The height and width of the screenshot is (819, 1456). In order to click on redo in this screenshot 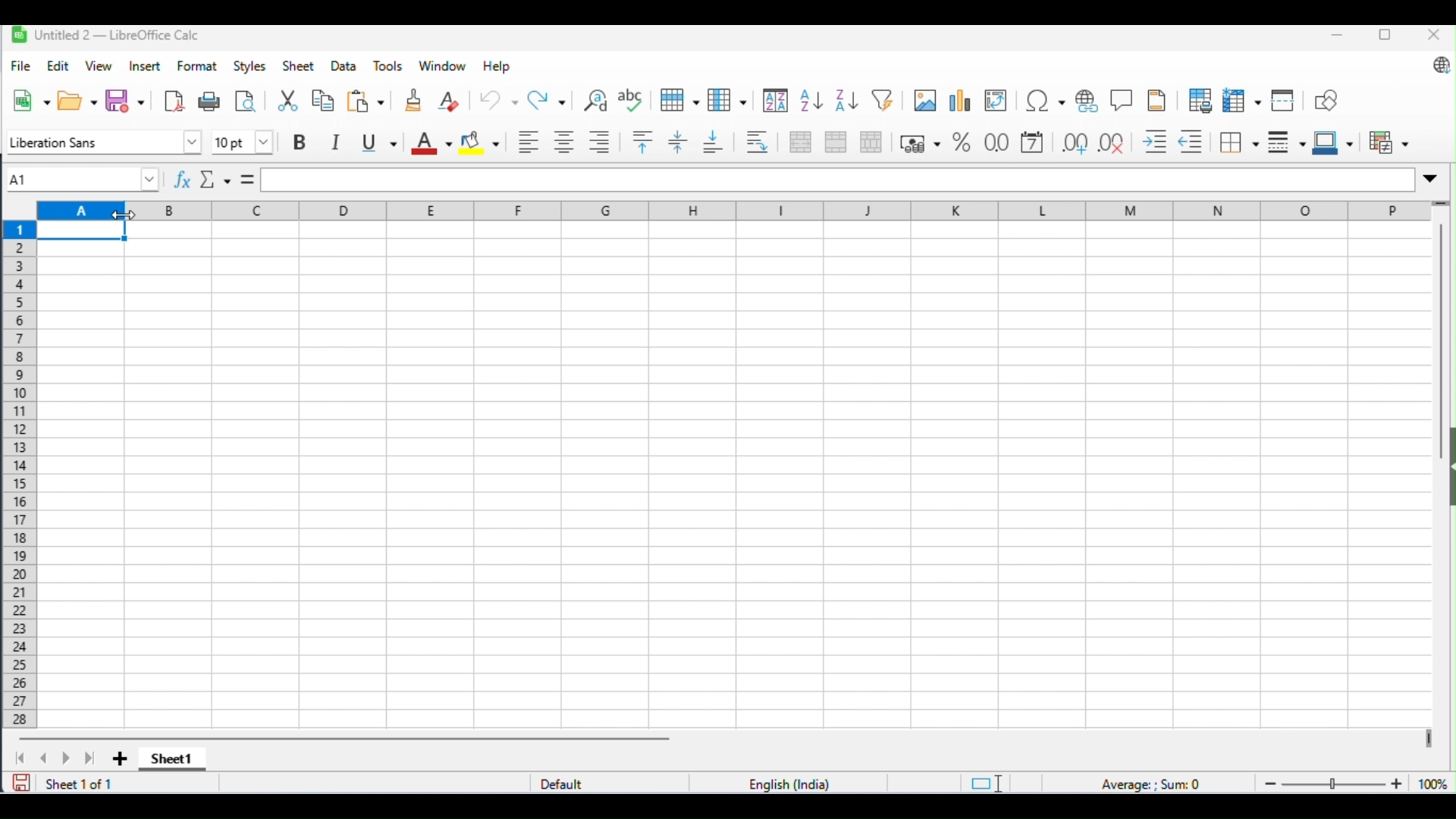, I will do `click(549, 99)`.